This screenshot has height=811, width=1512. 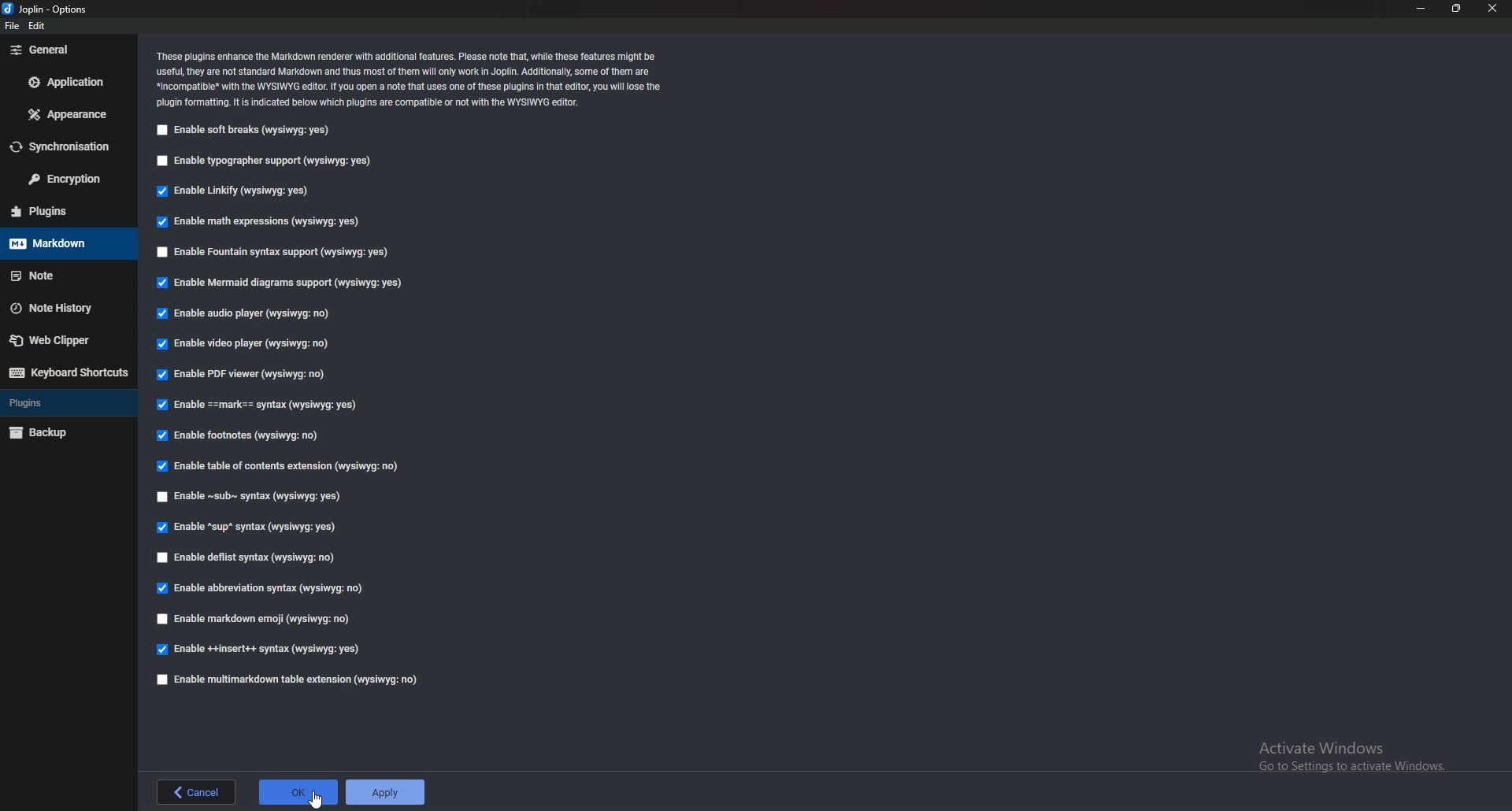 I want to click on cursor, so click(x=317, y=801).